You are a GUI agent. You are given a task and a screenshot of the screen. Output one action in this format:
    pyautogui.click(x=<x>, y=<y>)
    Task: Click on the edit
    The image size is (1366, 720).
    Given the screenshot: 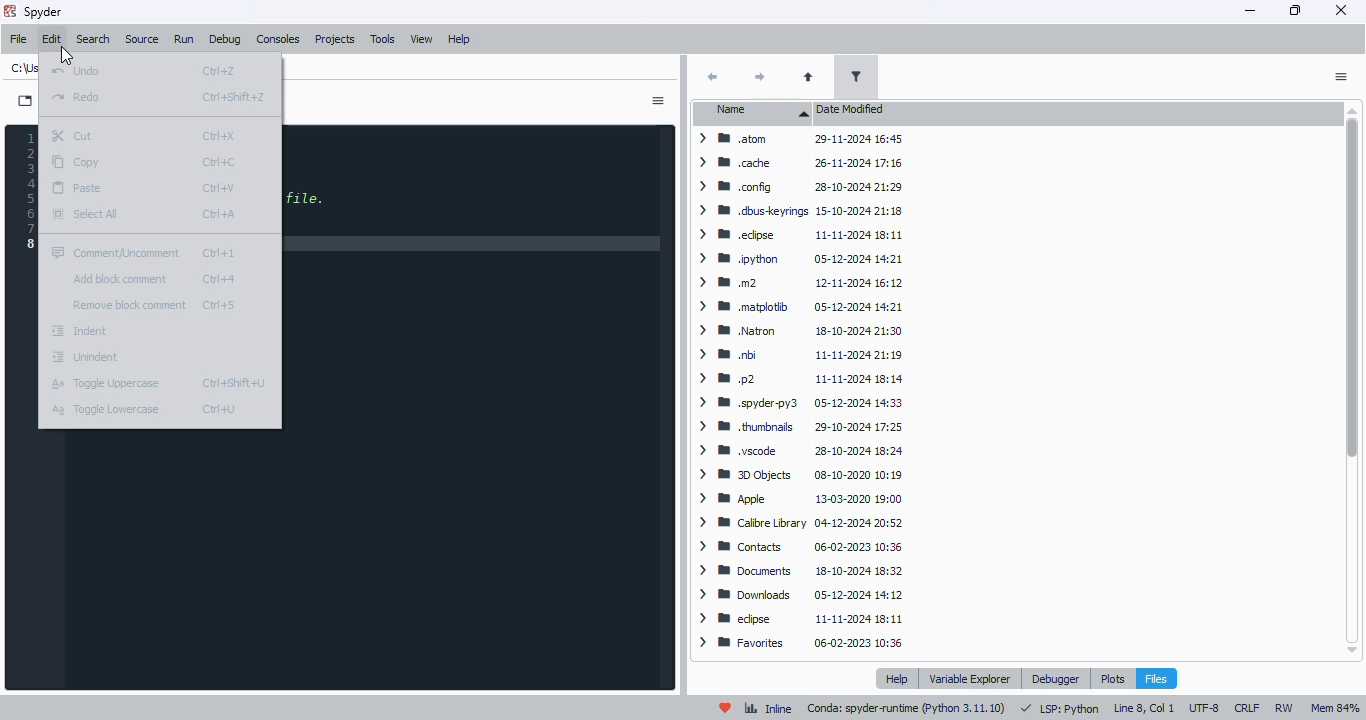 What is the action you would take?
    pyautogui.click(x=53, y=39)
    